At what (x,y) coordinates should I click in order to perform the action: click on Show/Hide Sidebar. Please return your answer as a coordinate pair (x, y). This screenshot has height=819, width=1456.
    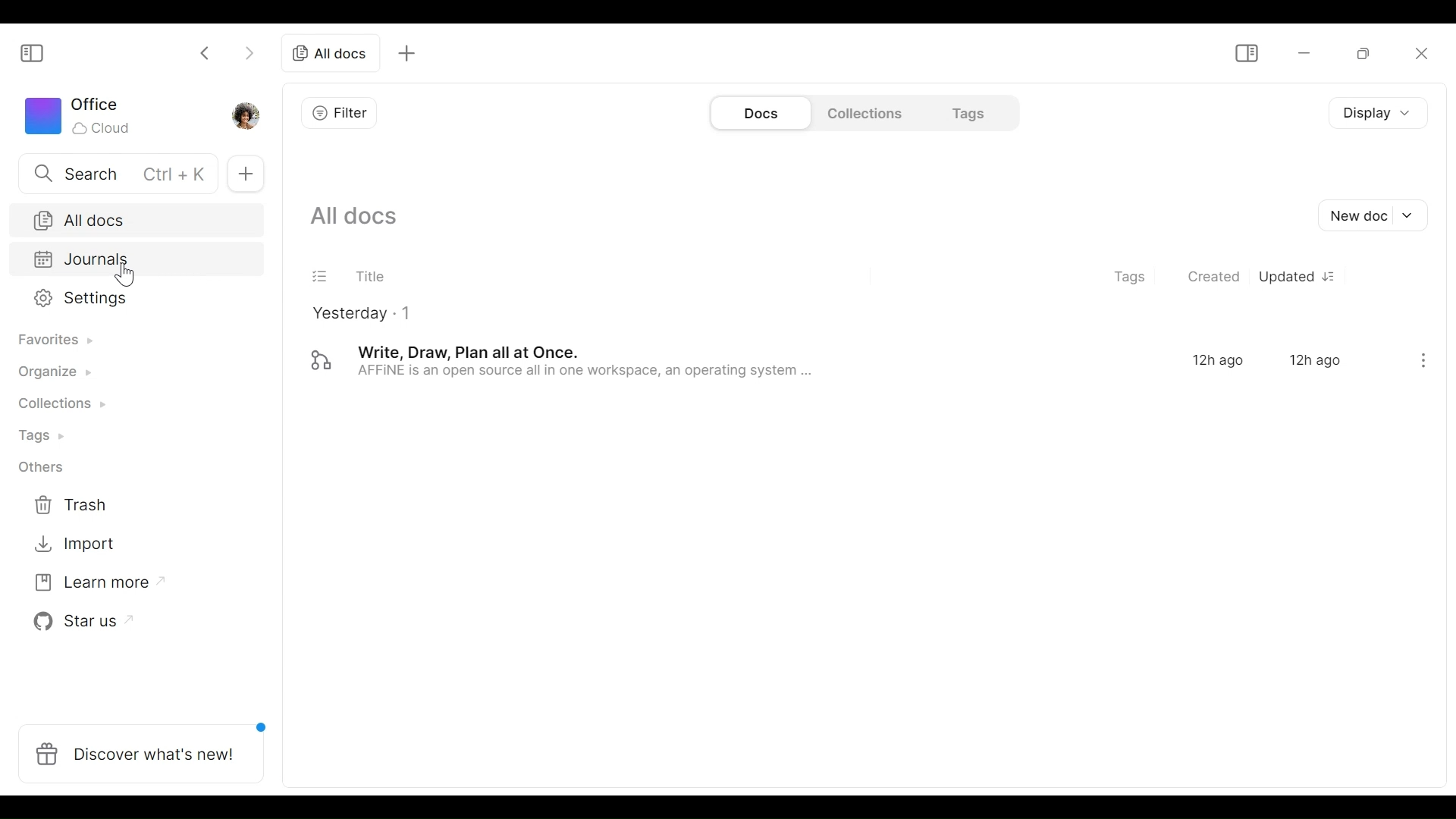
    Looking at the image, I should click on (39, 52).